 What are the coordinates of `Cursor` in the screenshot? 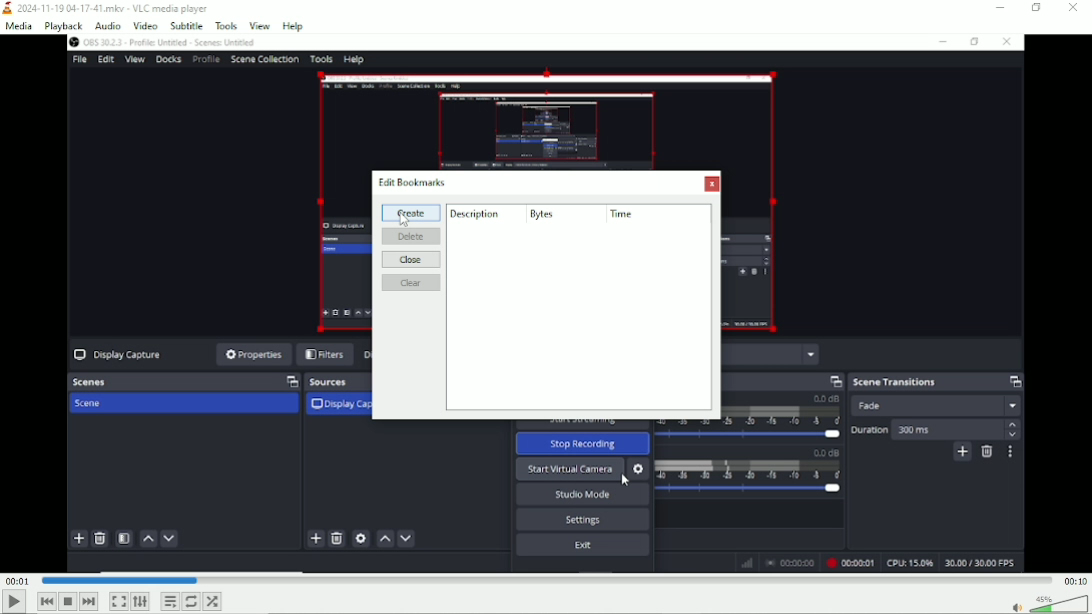 It's located at (405, 222).